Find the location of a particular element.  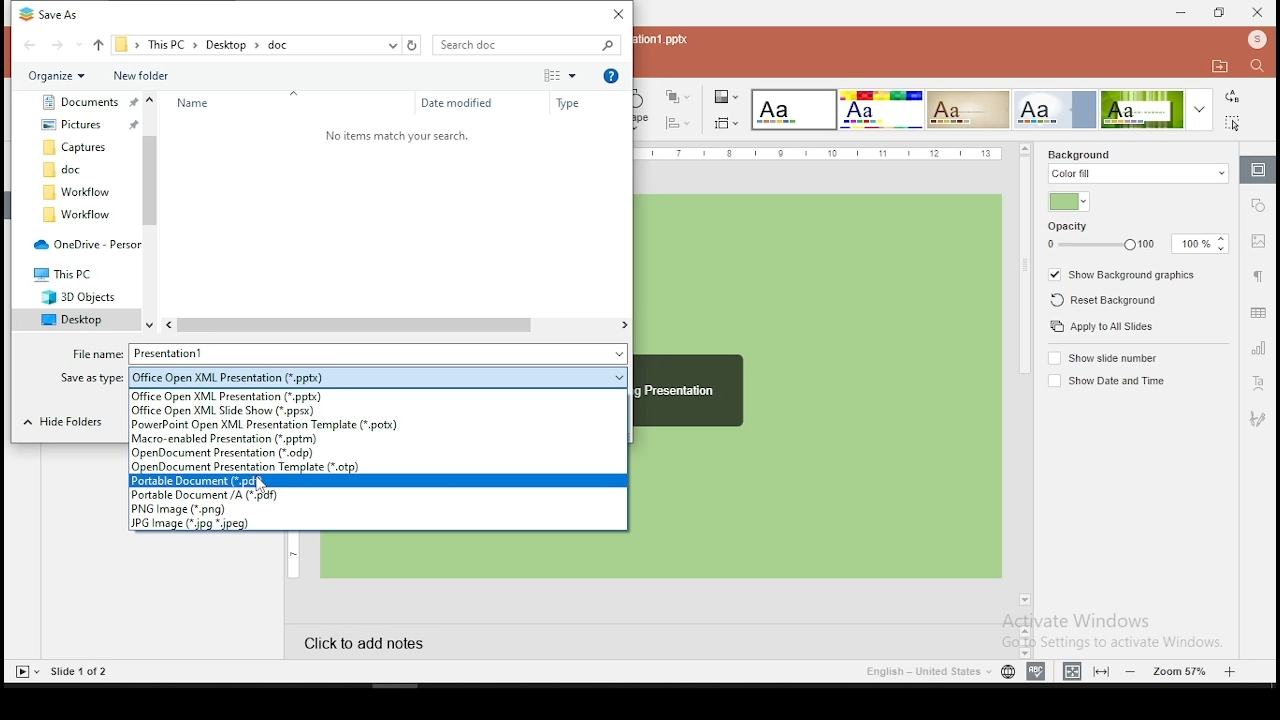

office open XML show is located at coordinates (377, 411).